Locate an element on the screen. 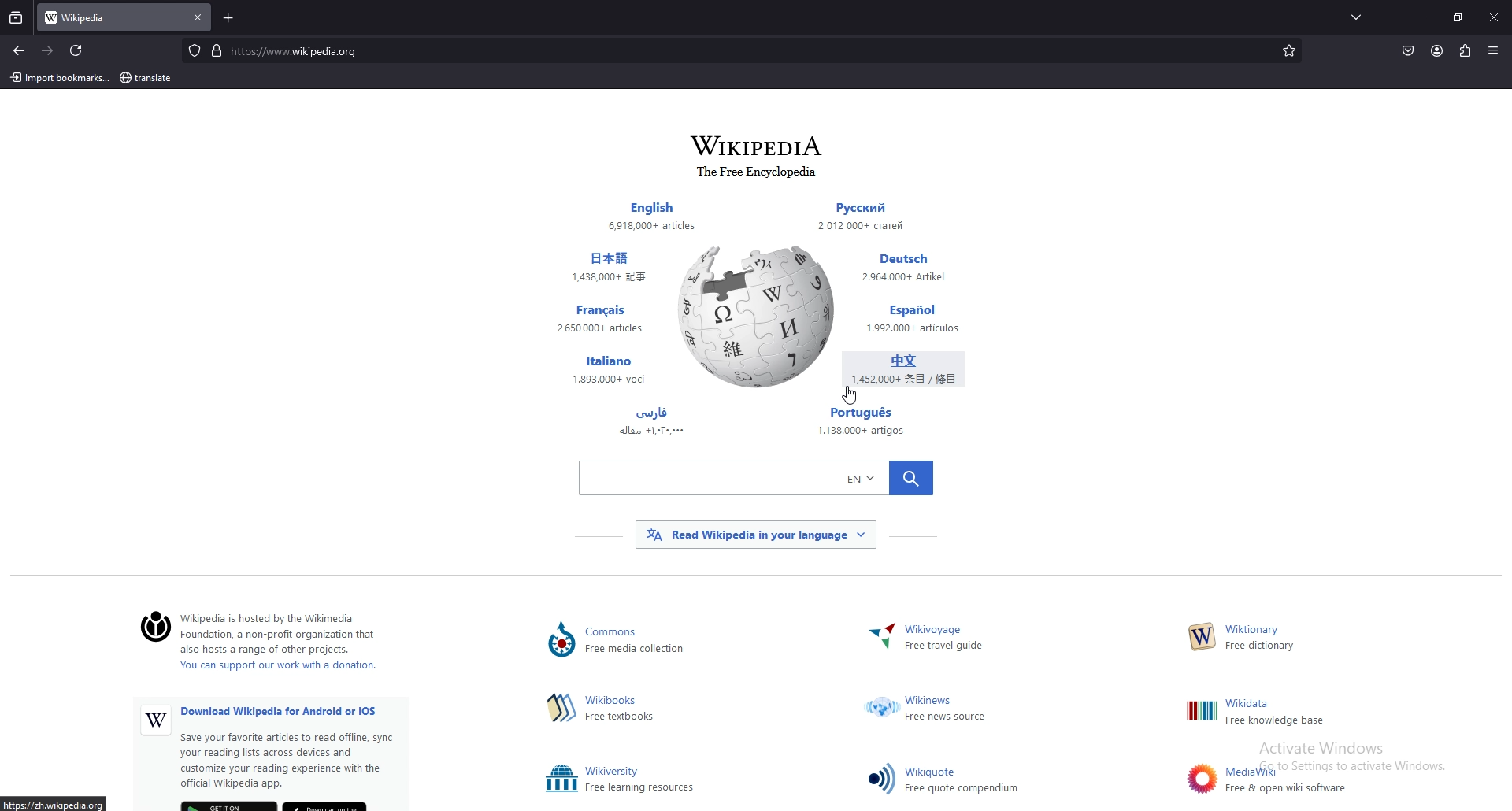 This screenshot has width=1512, height=811.  is located at coordinates (1199, 779).